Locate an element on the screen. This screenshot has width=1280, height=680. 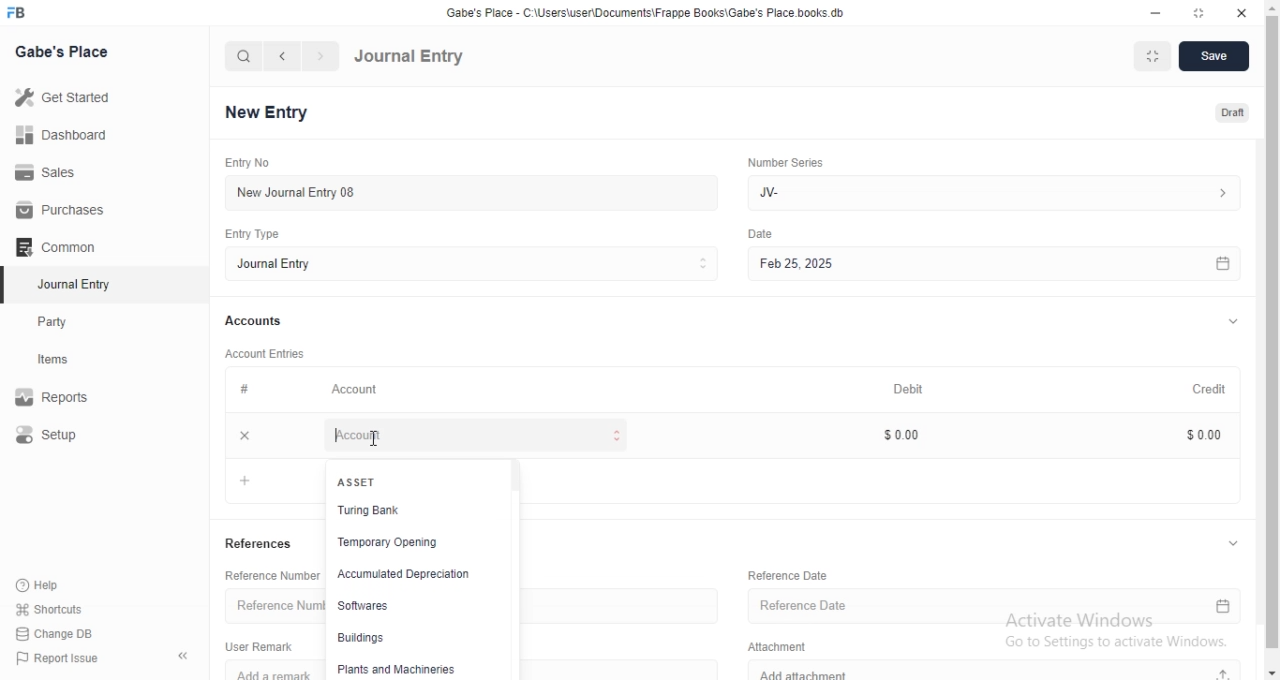
Jv- is located at coordinates (994, 191).